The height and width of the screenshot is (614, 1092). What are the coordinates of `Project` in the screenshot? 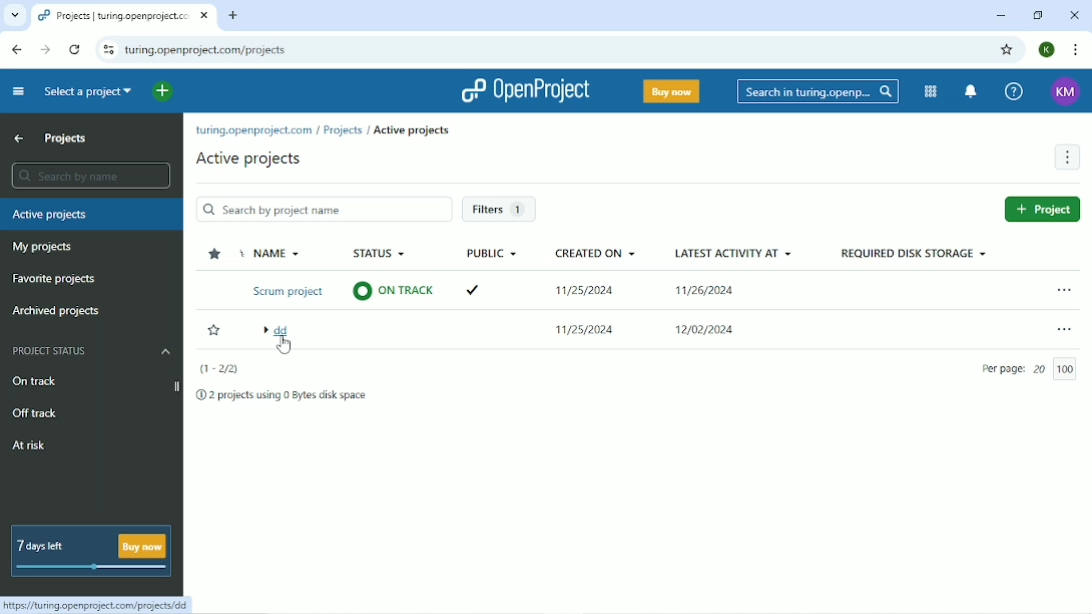 It's located at (1043, 209).